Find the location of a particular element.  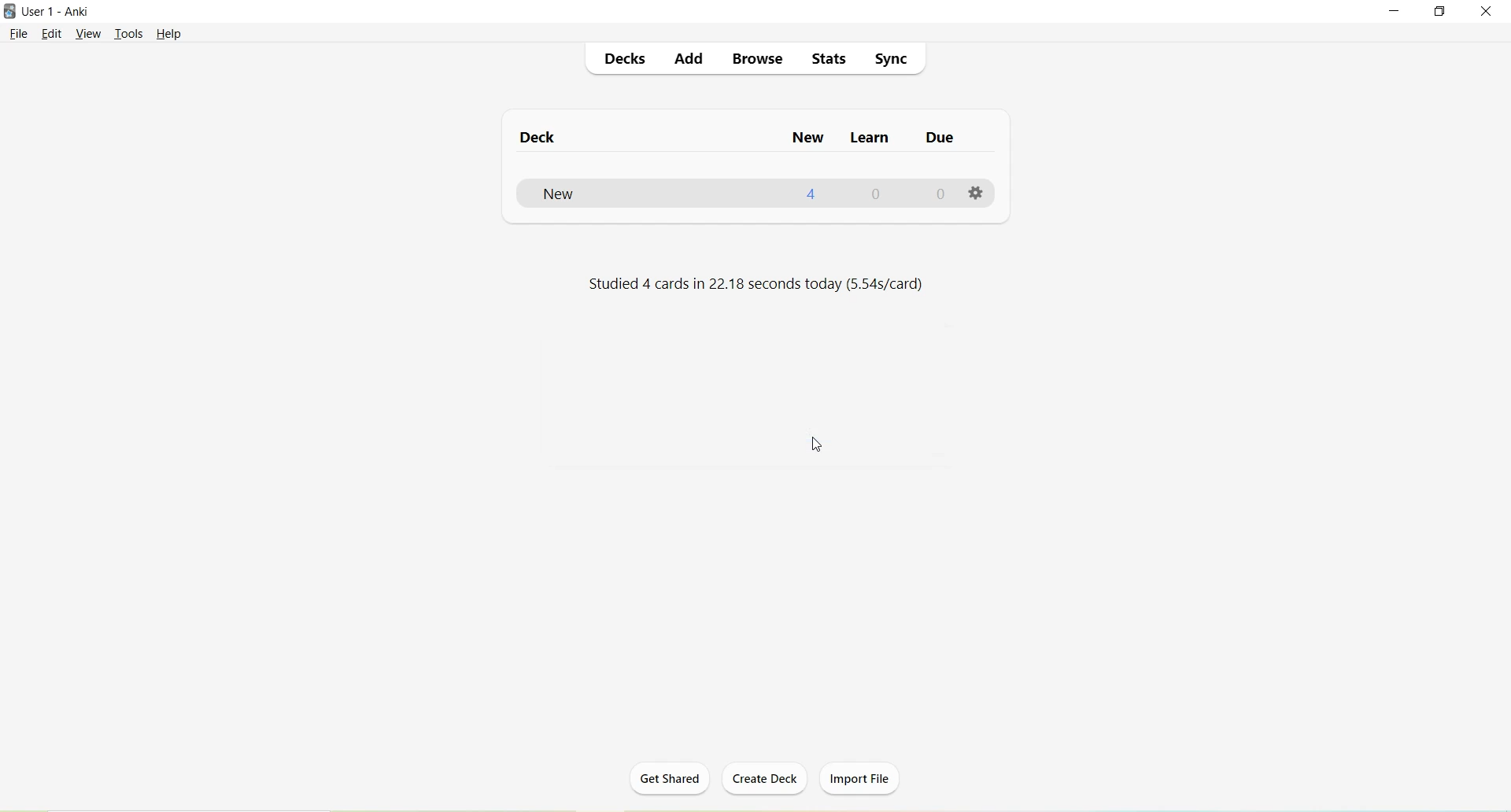

New is located at coordinates (807, 139).